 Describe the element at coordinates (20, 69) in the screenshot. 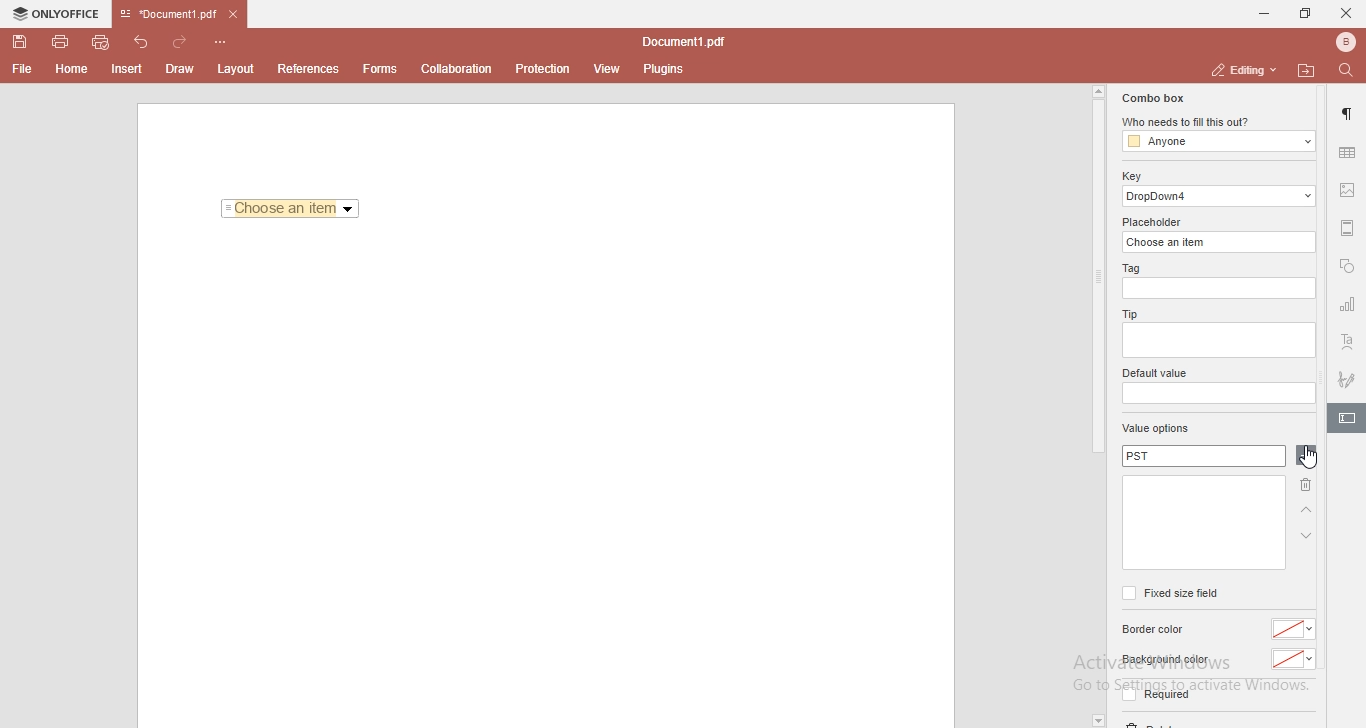

I see `File` at that location.